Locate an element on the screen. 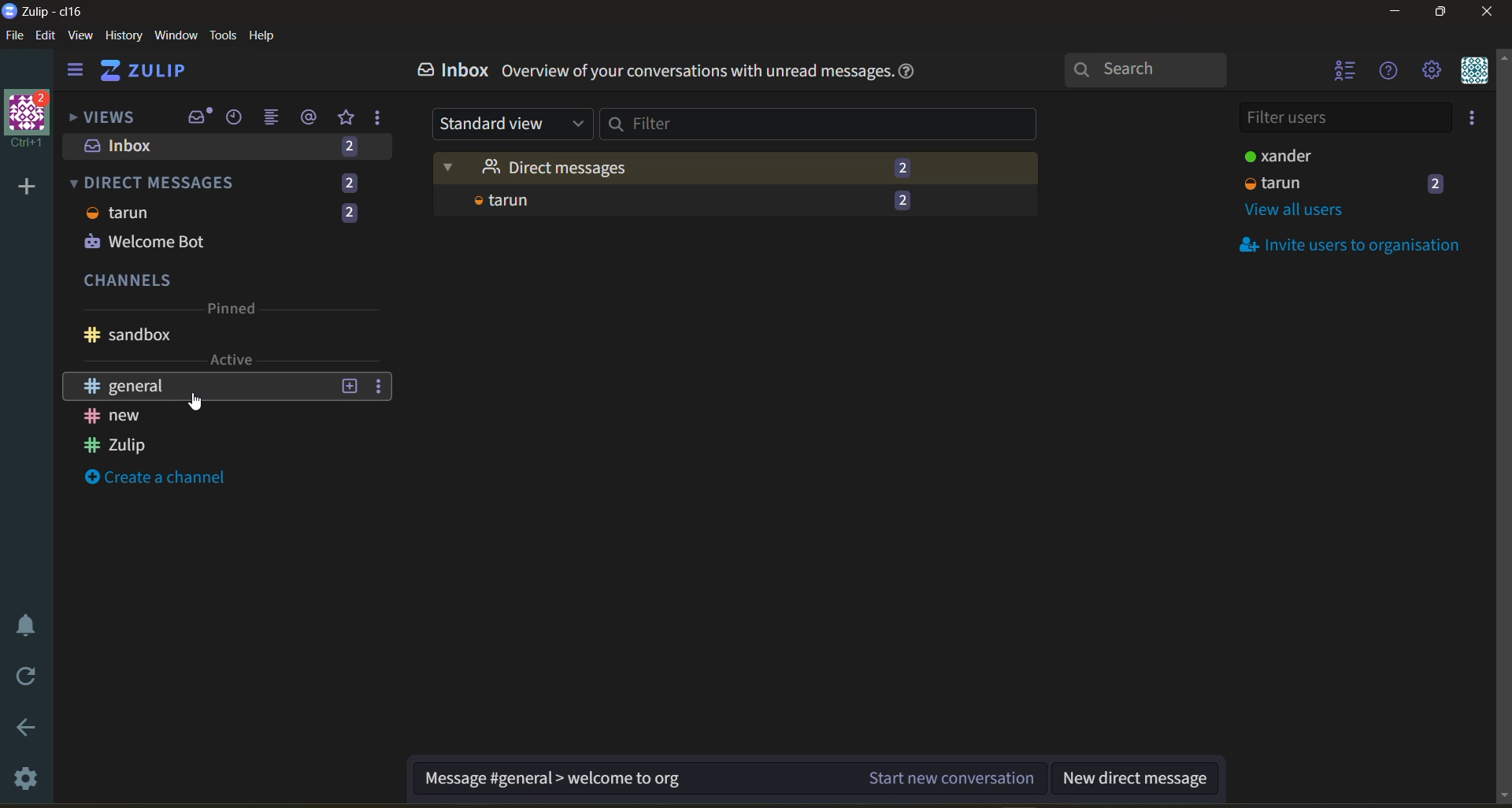  window is located at coordinates (174, 36).